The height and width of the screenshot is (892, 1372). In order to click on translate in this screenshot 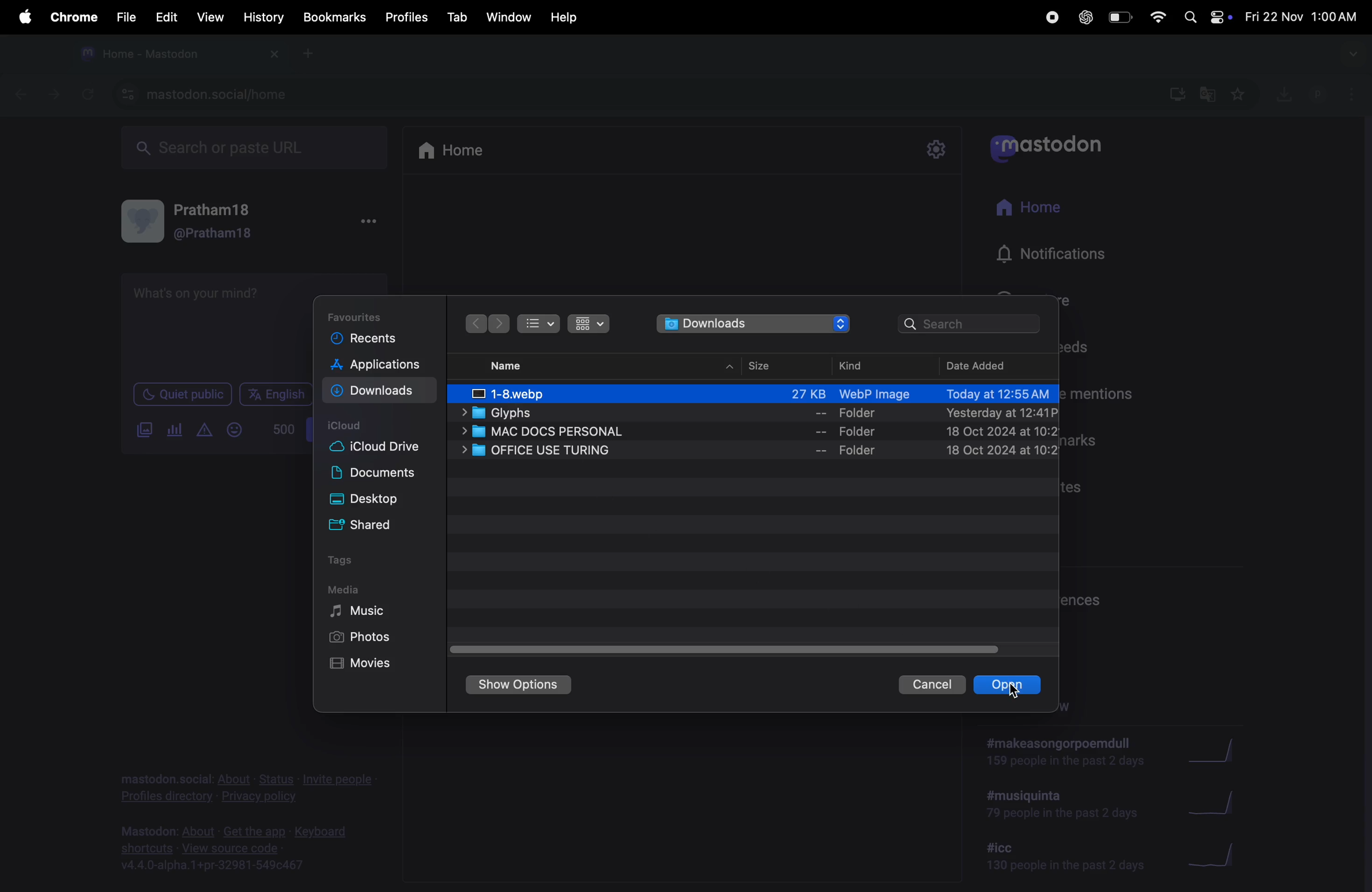, I will do `click(1208, 93)`.